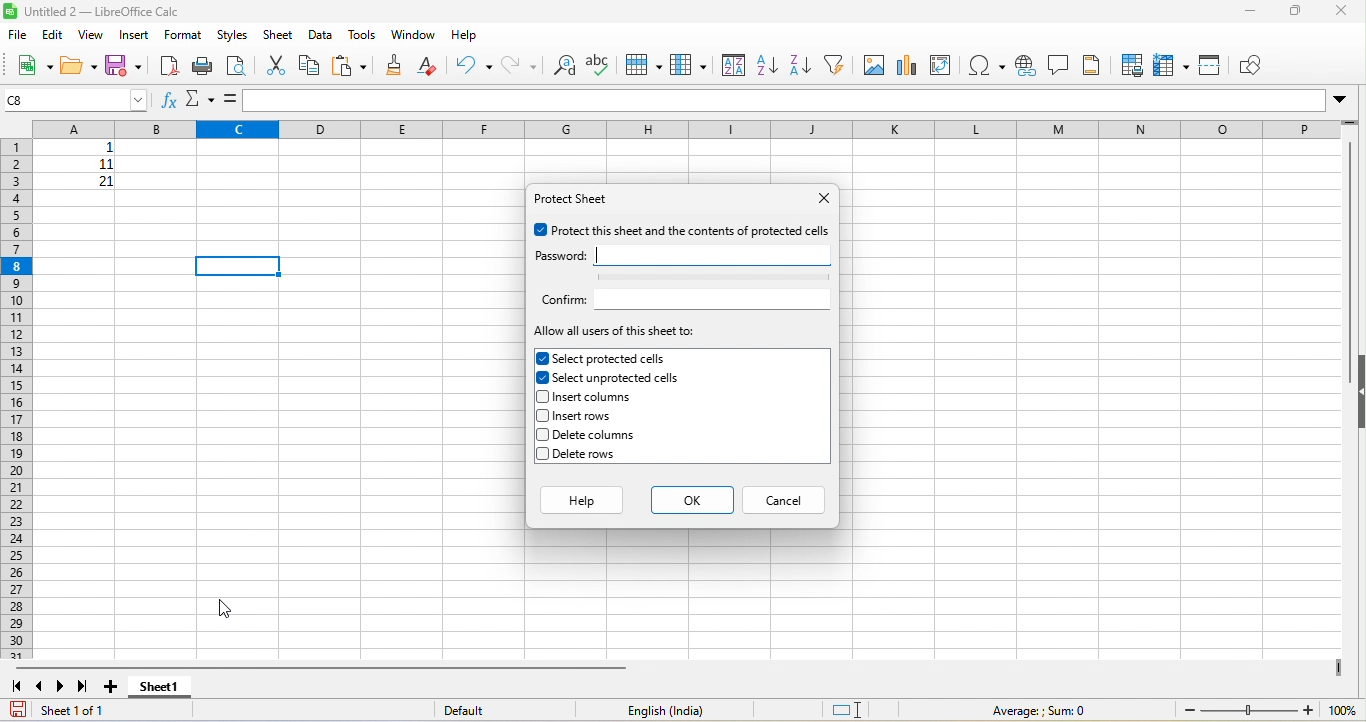 This screenshot has width=1366, height=722. I want to click on open, so click(78, 67).